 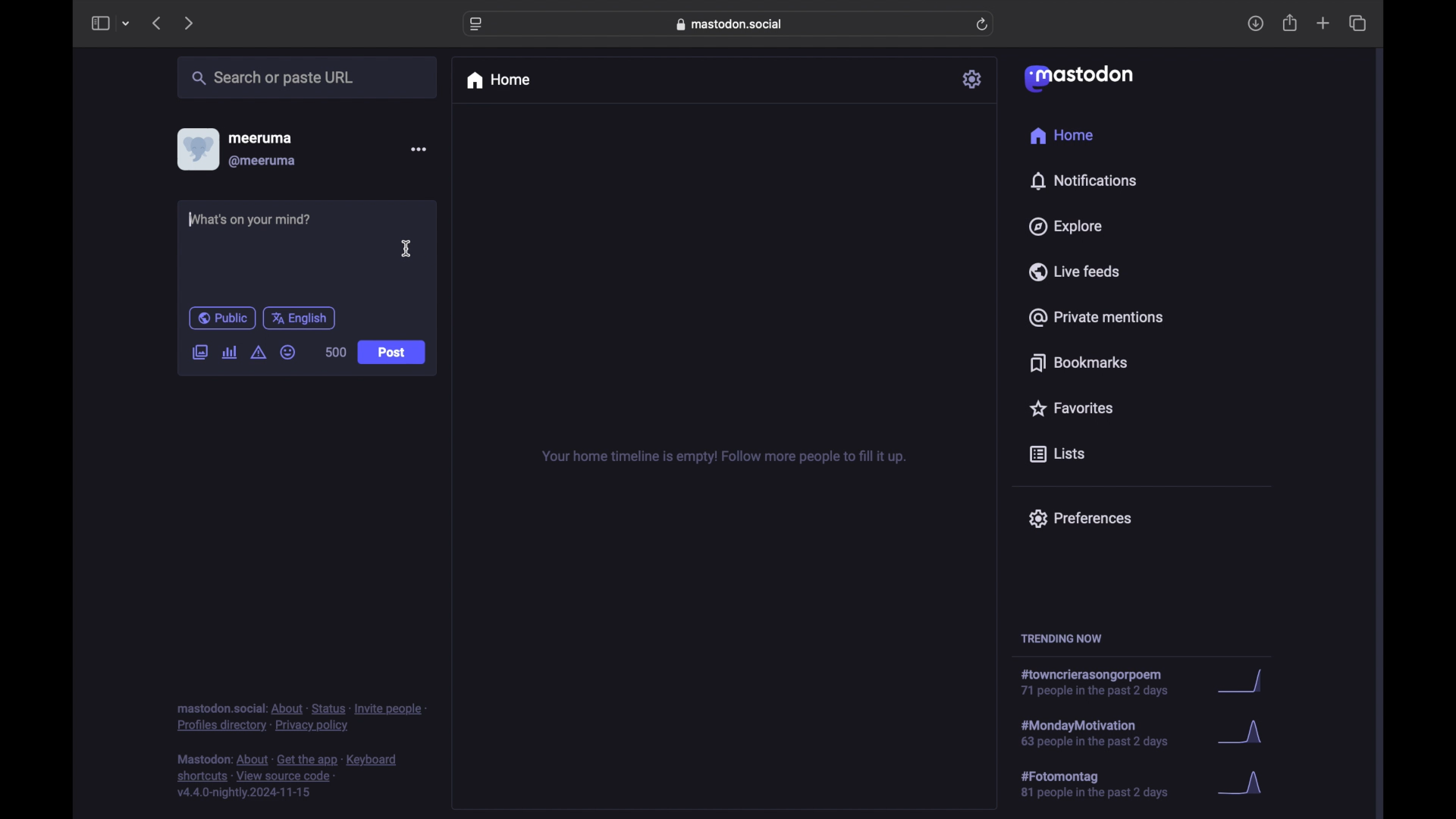 What do you see at coordinates (1080, 519) in the screenshot?
I see `preferences` at bounding box center [1080, 519].